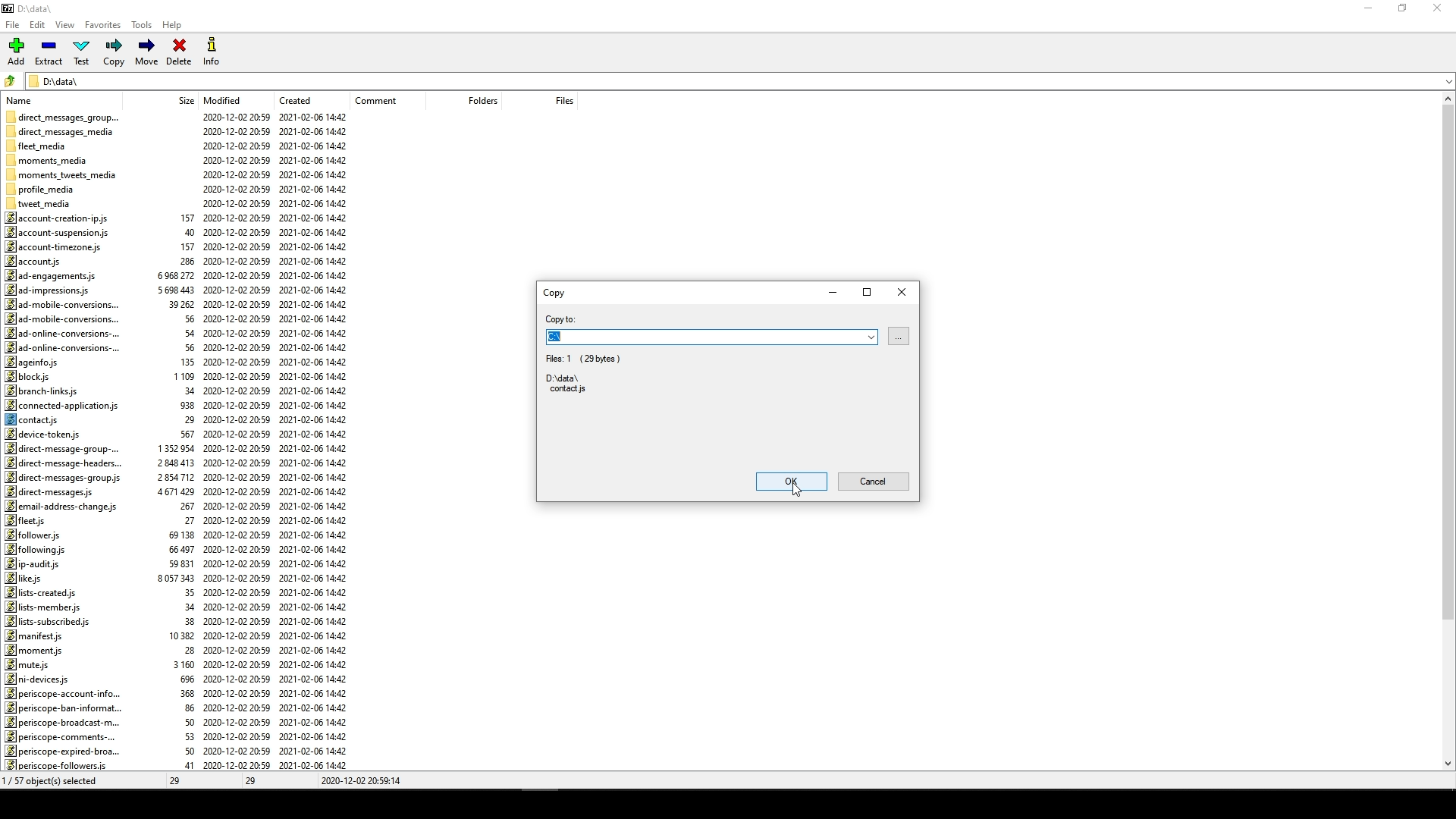 The height and width of the screenshot is (819, 1456). I want to click on cursor, so click(797, 491).